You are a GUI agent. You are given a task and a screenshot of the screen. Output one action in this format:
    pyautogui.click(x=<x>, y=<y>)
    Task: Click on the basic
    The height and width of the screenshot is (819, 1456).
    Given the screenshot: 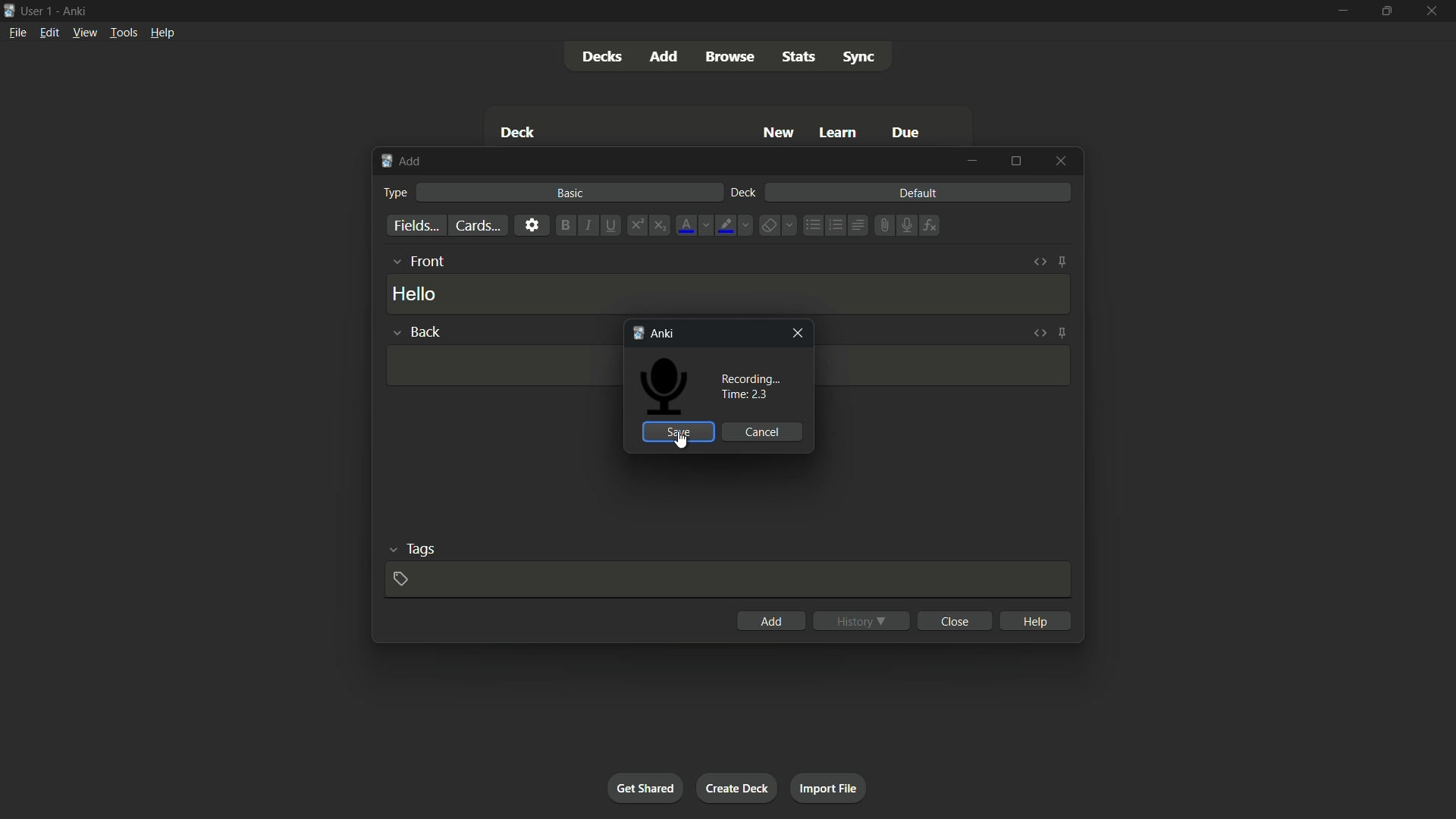 What is the action you would take?
    pyautogui.click(x=568, y=193)
    